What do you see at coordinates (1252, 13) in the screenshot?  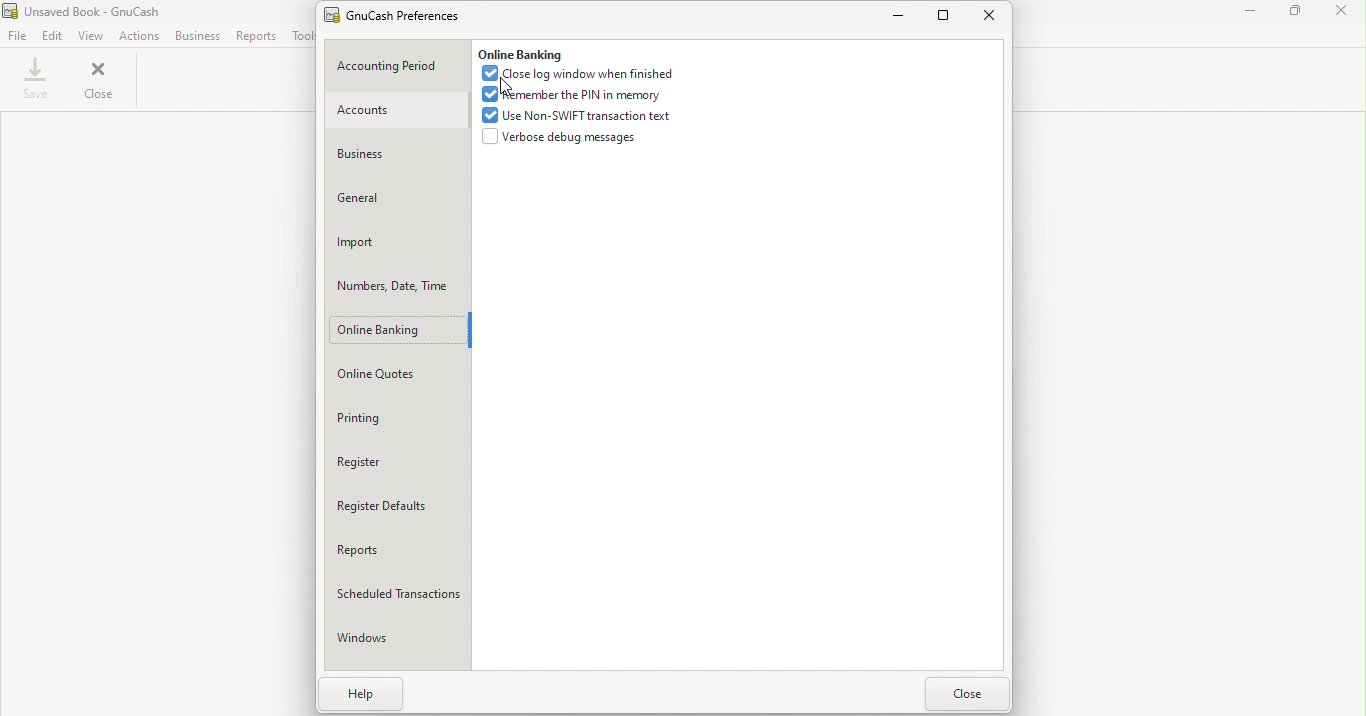 I see `Minimize` at bounding box center [1252, 13].